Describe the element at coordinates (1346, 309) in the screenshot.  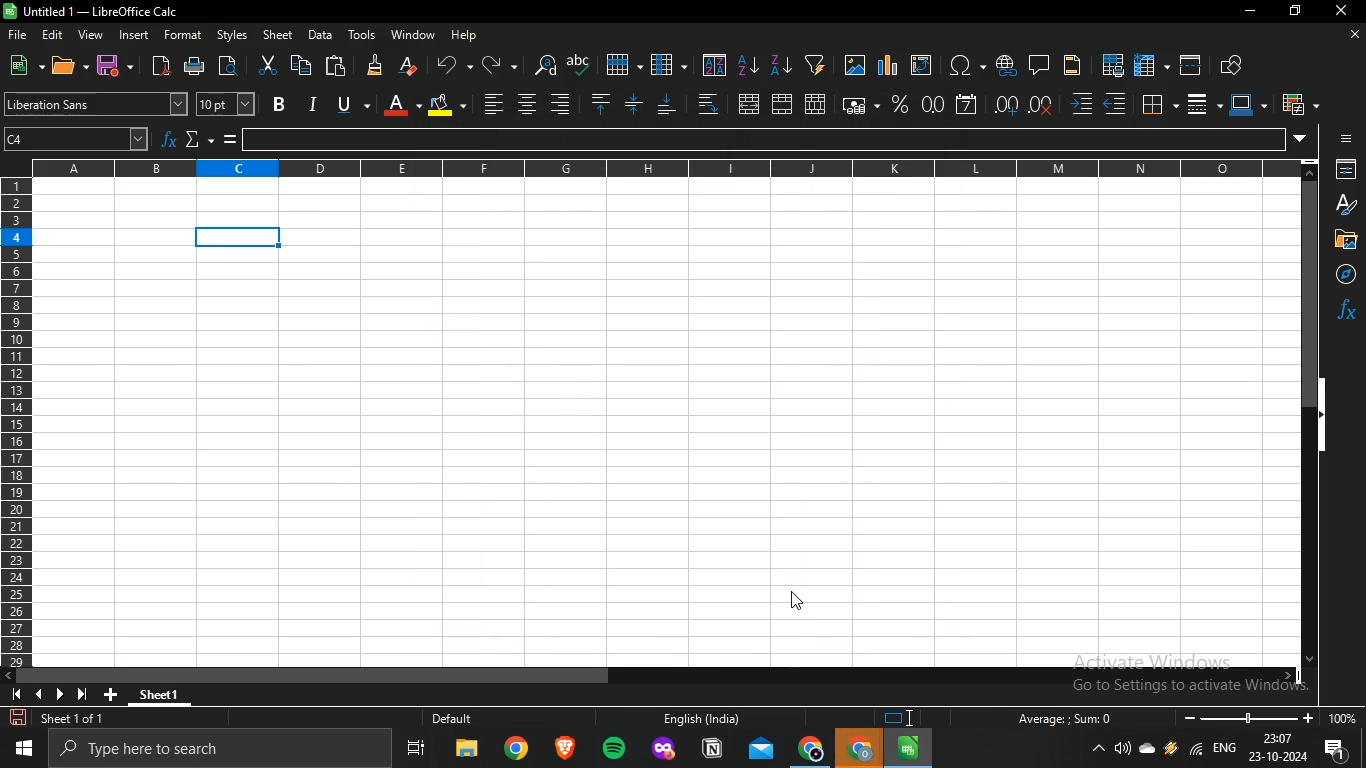
I see `function` at that location.